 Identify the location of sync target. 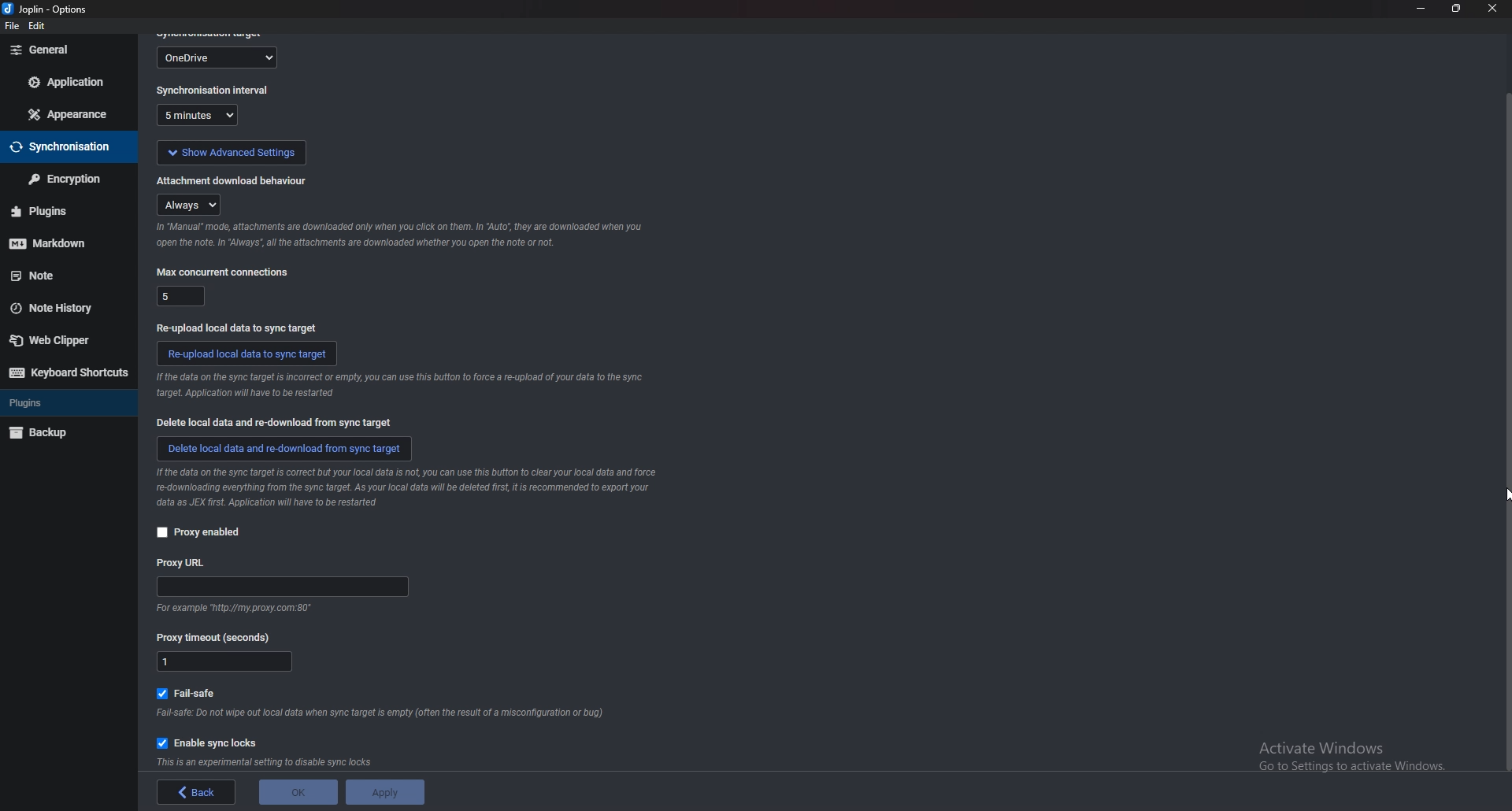
(219, 56).